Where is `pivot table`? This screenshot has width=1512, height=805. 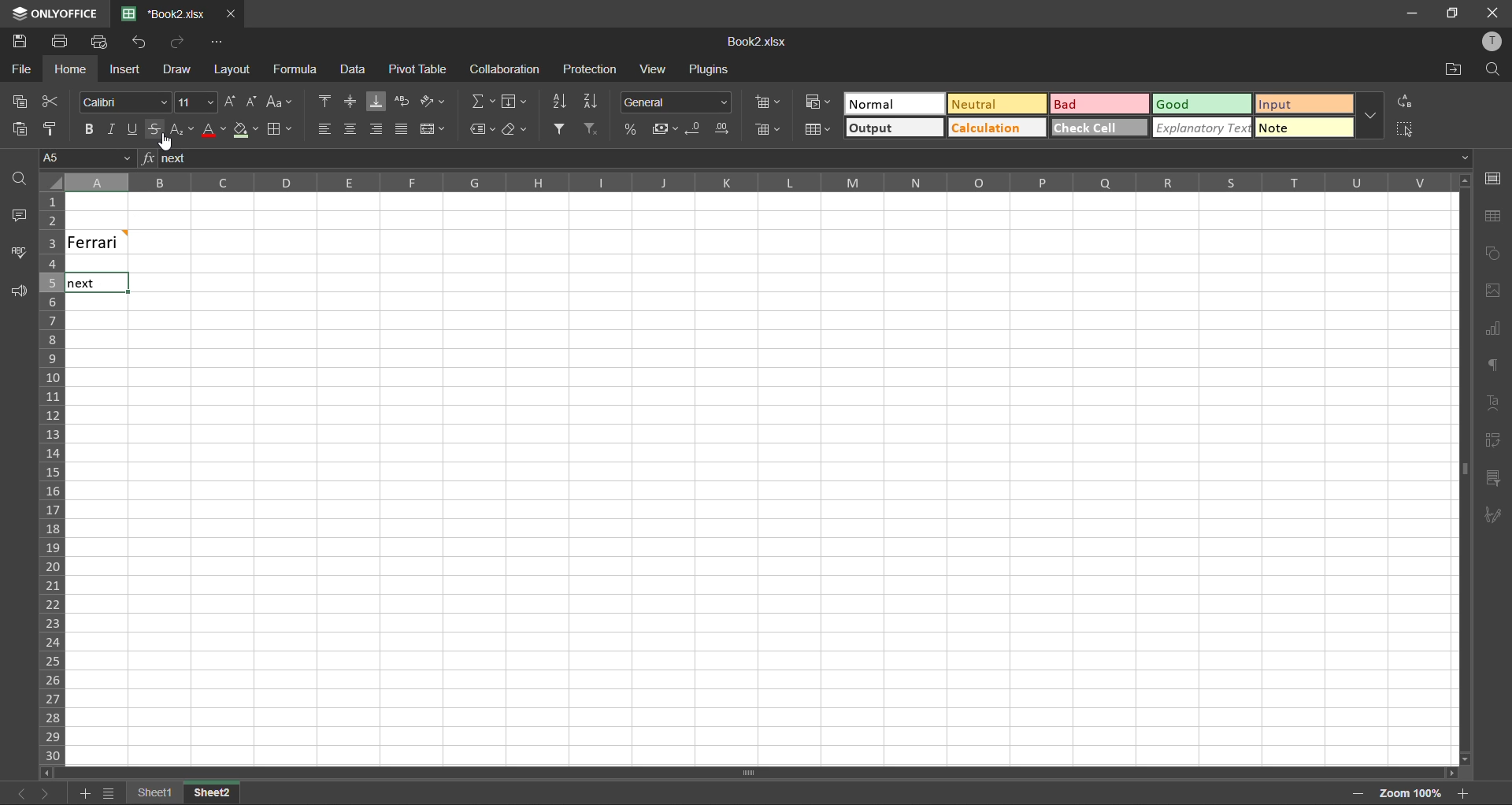 pivot table is located at coordinates (1494, 440).